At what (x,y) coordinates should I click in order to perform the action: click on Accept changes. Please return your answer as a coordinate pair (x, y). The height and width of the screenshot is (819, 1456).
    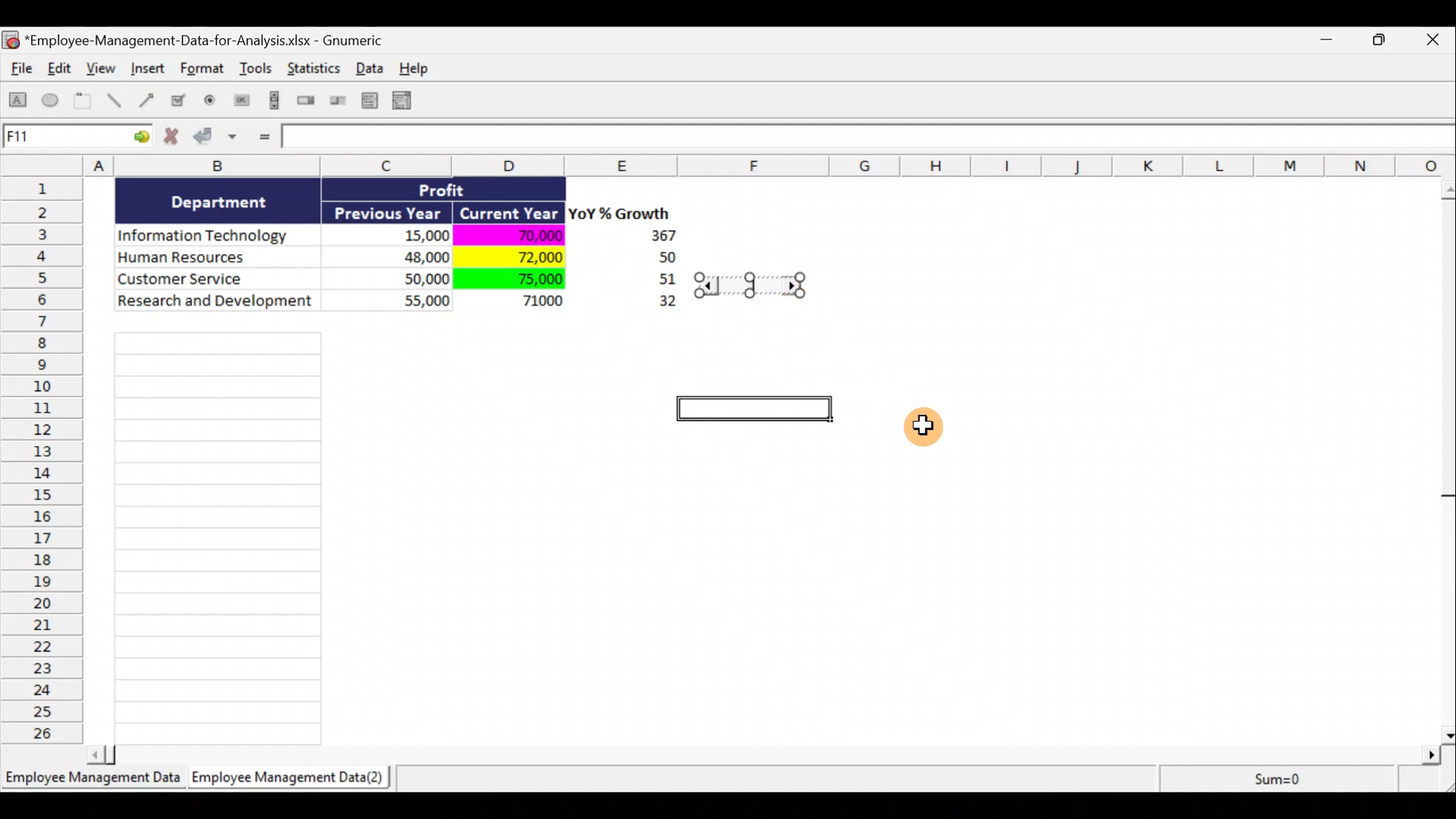
    Looking at the image, I should click on (218, 142).